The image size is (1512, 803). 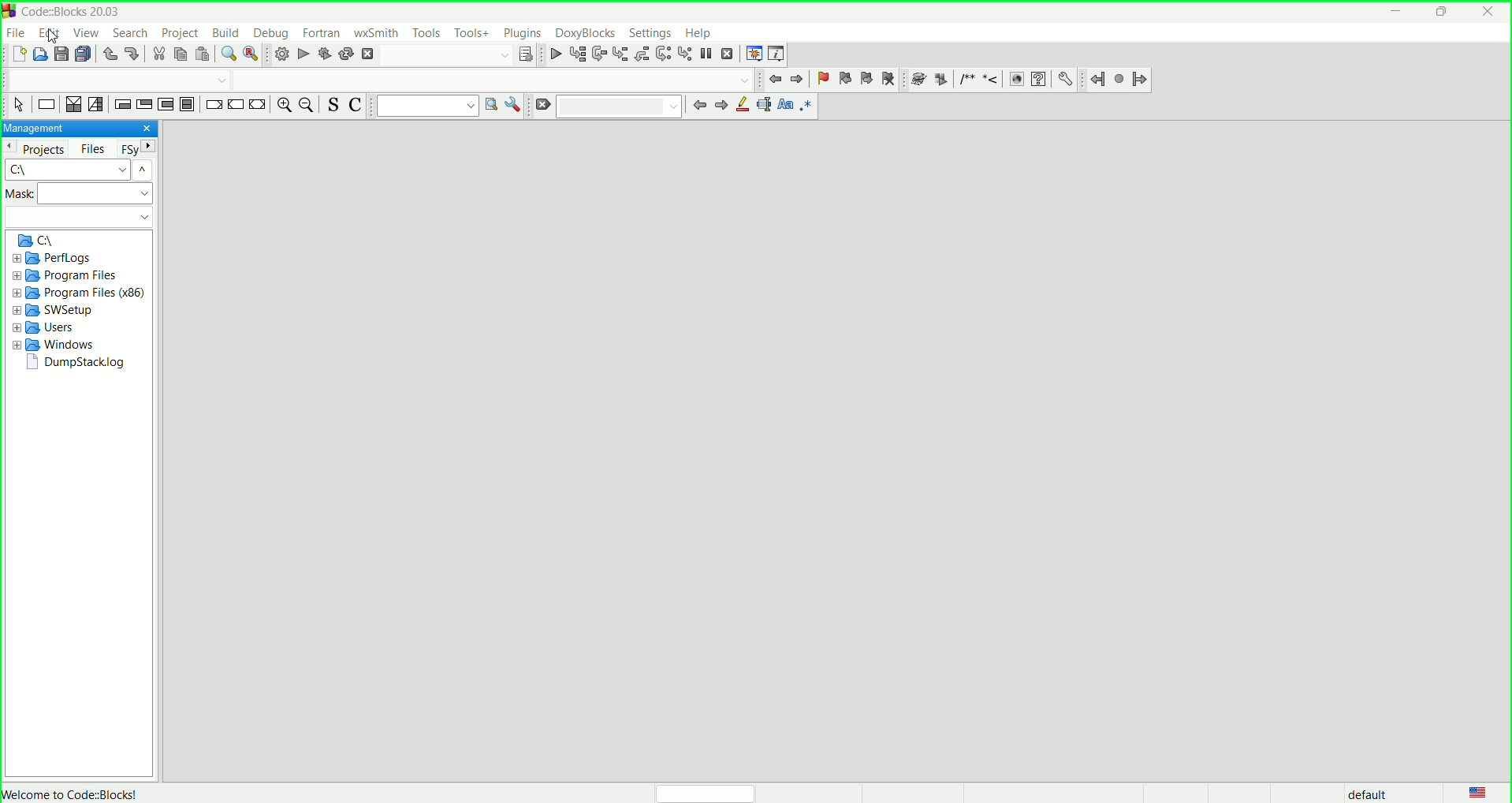 I want to click on language, so click(x=1476, y=790).